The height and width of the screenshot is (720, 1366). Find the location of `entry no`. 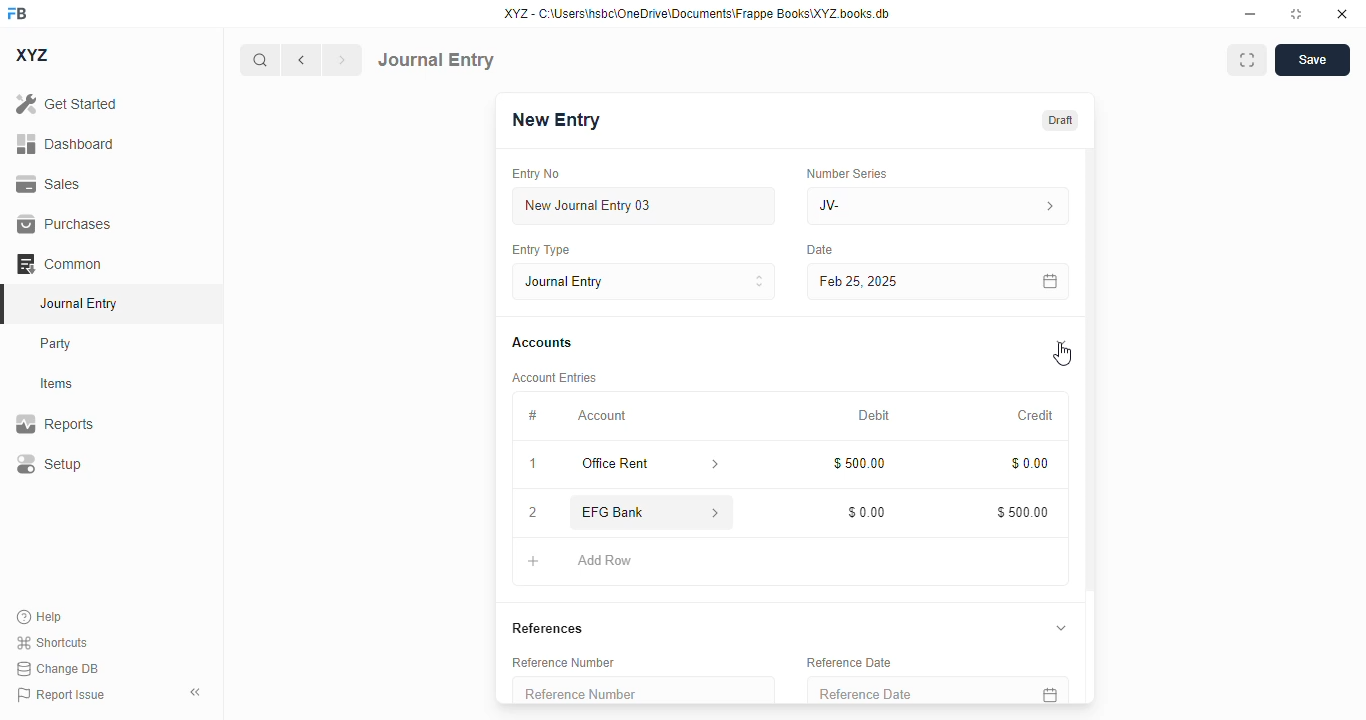

entry no is located at coordinates (536, 174).